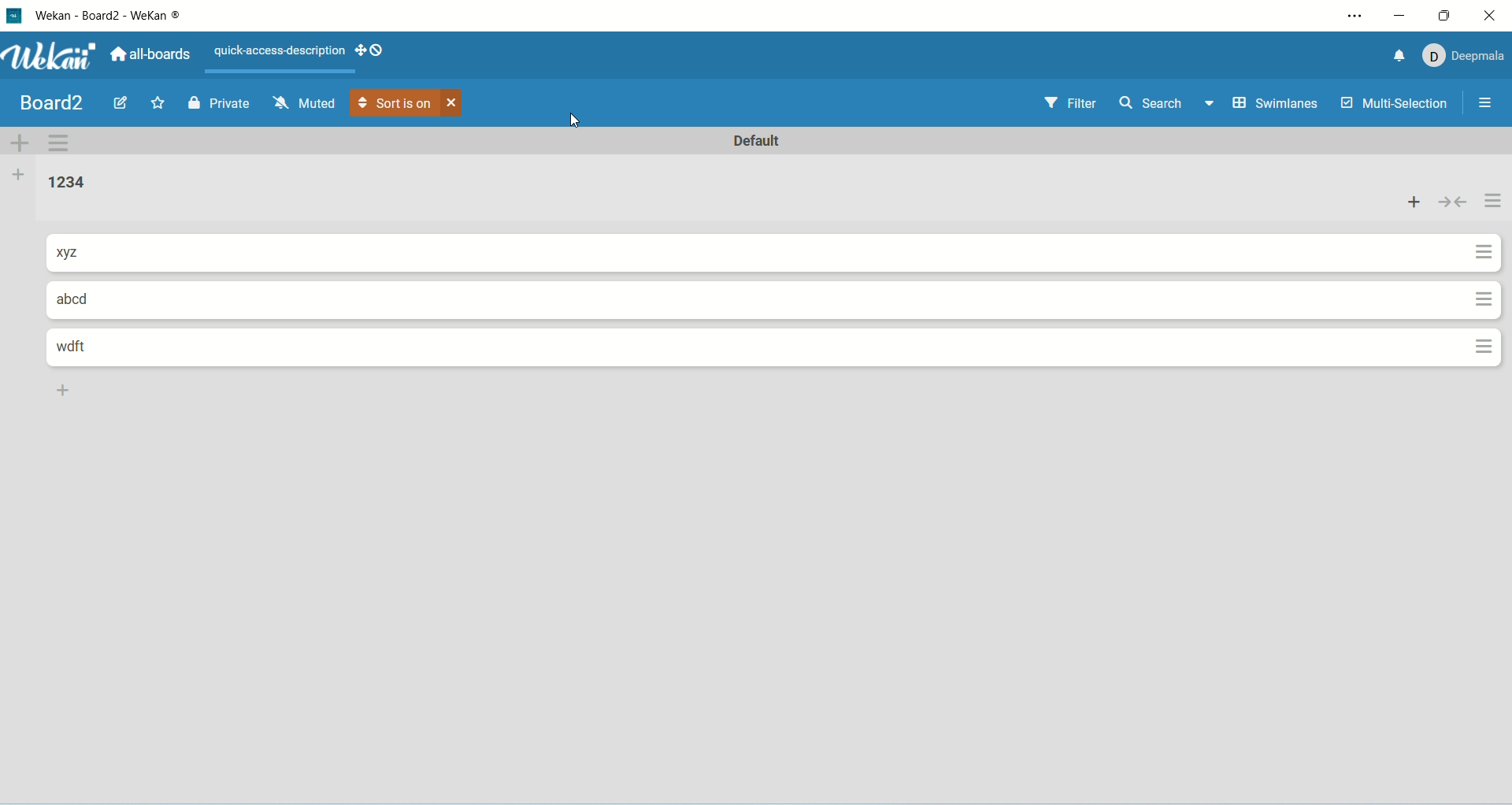  What do you see at coordinates (122, 17) in the screenshot?
I see `title` at bounding box center [122, 17].